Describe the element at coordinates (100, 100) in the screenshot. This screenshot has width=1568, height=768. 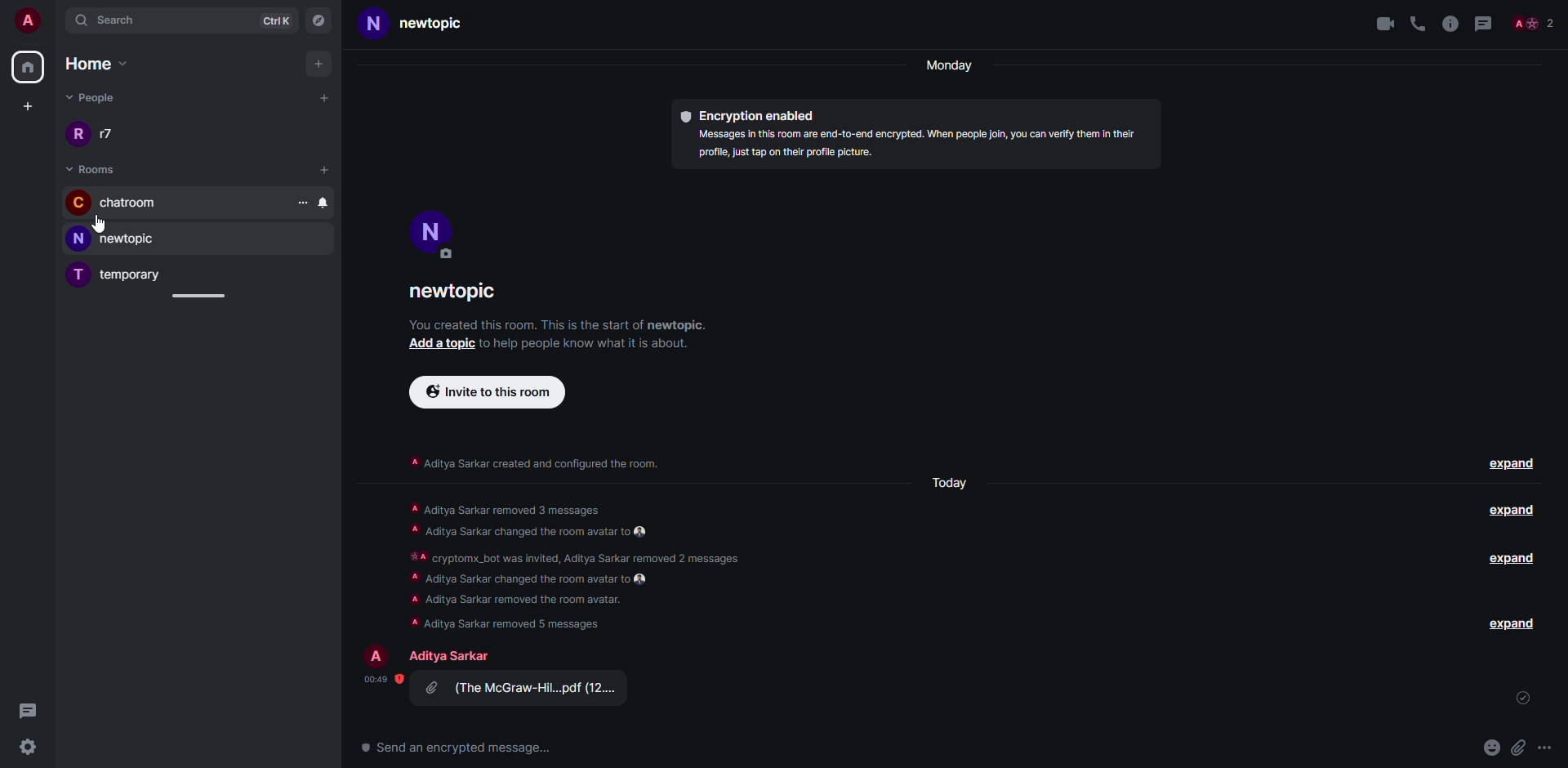
I see `people` at that location.